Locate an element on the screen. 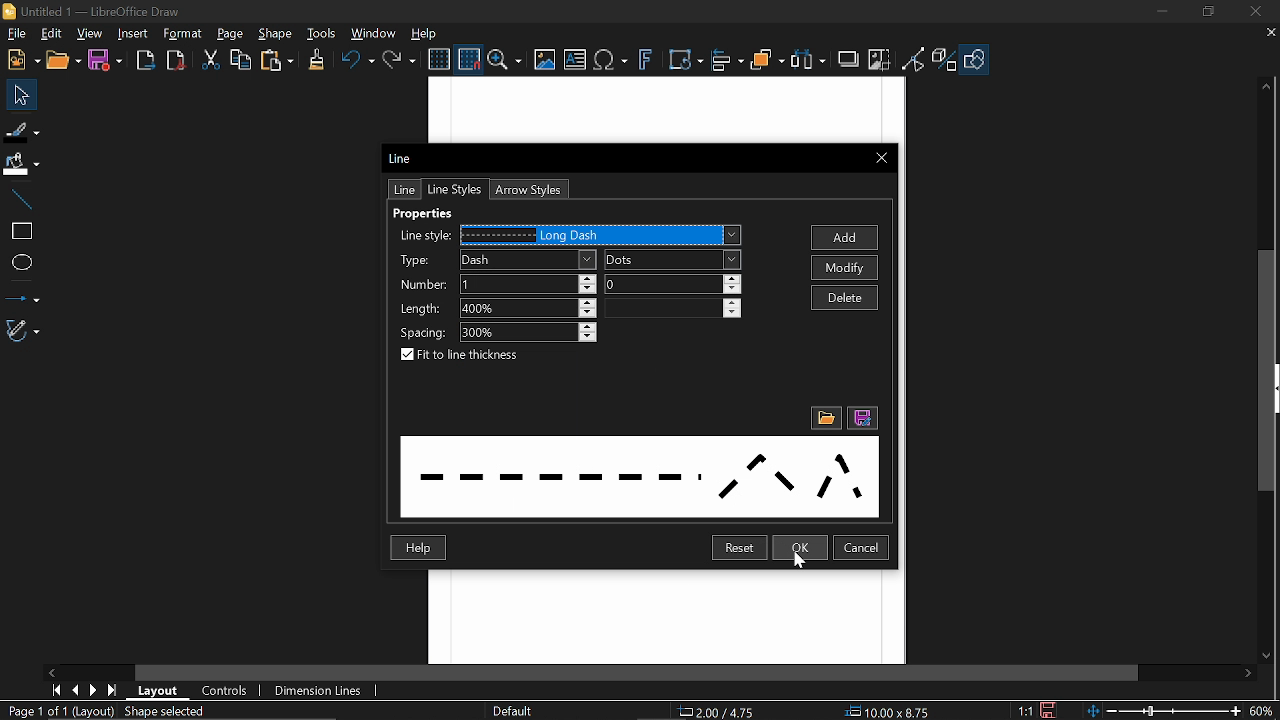 This screenshot has height=720, width=1280. Arrange is located at coordinates (768, 60).